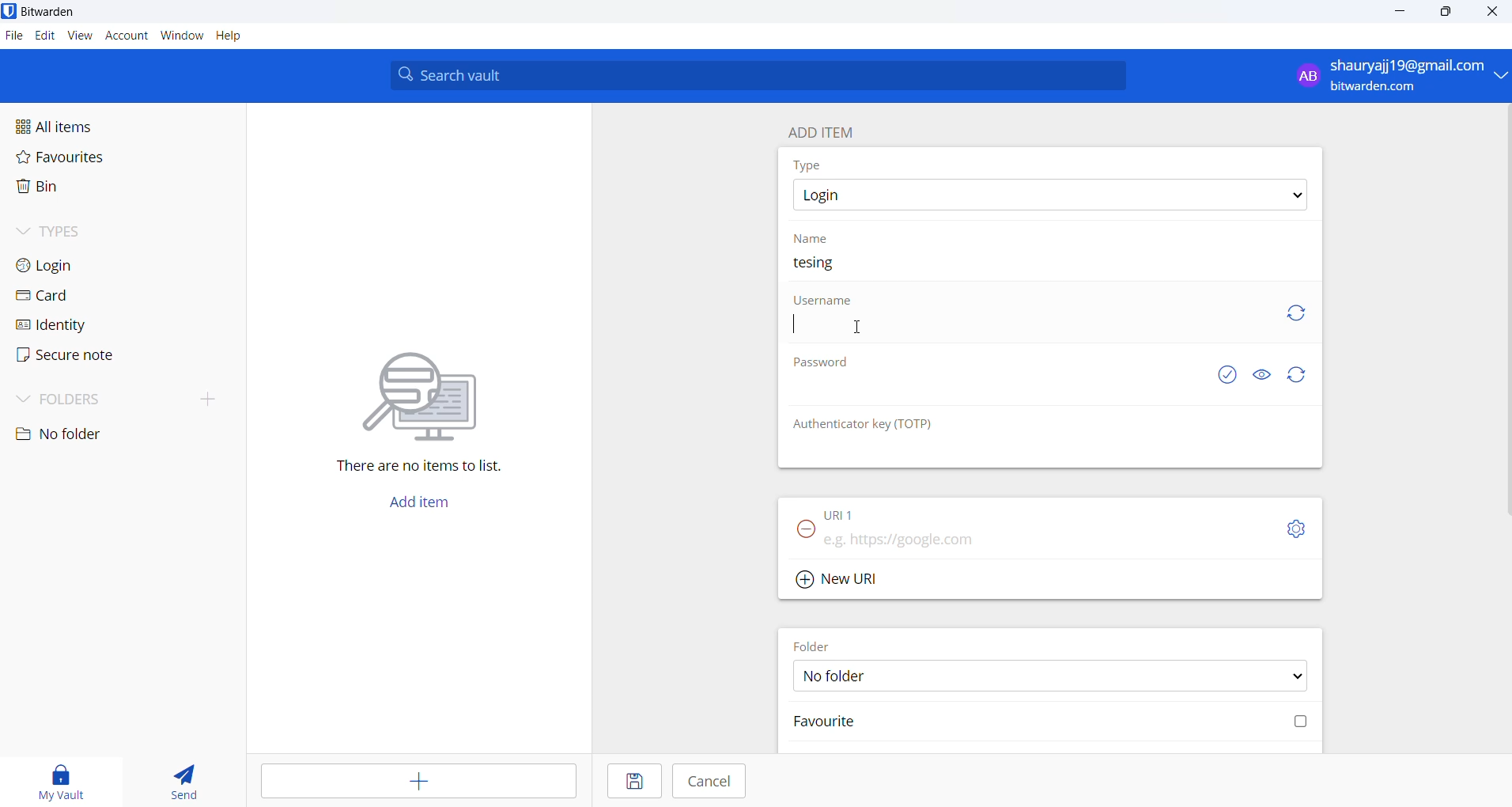  Describe the element at coordinates (1034, 452) in the screenshot. I see `OTP text box` at that location.